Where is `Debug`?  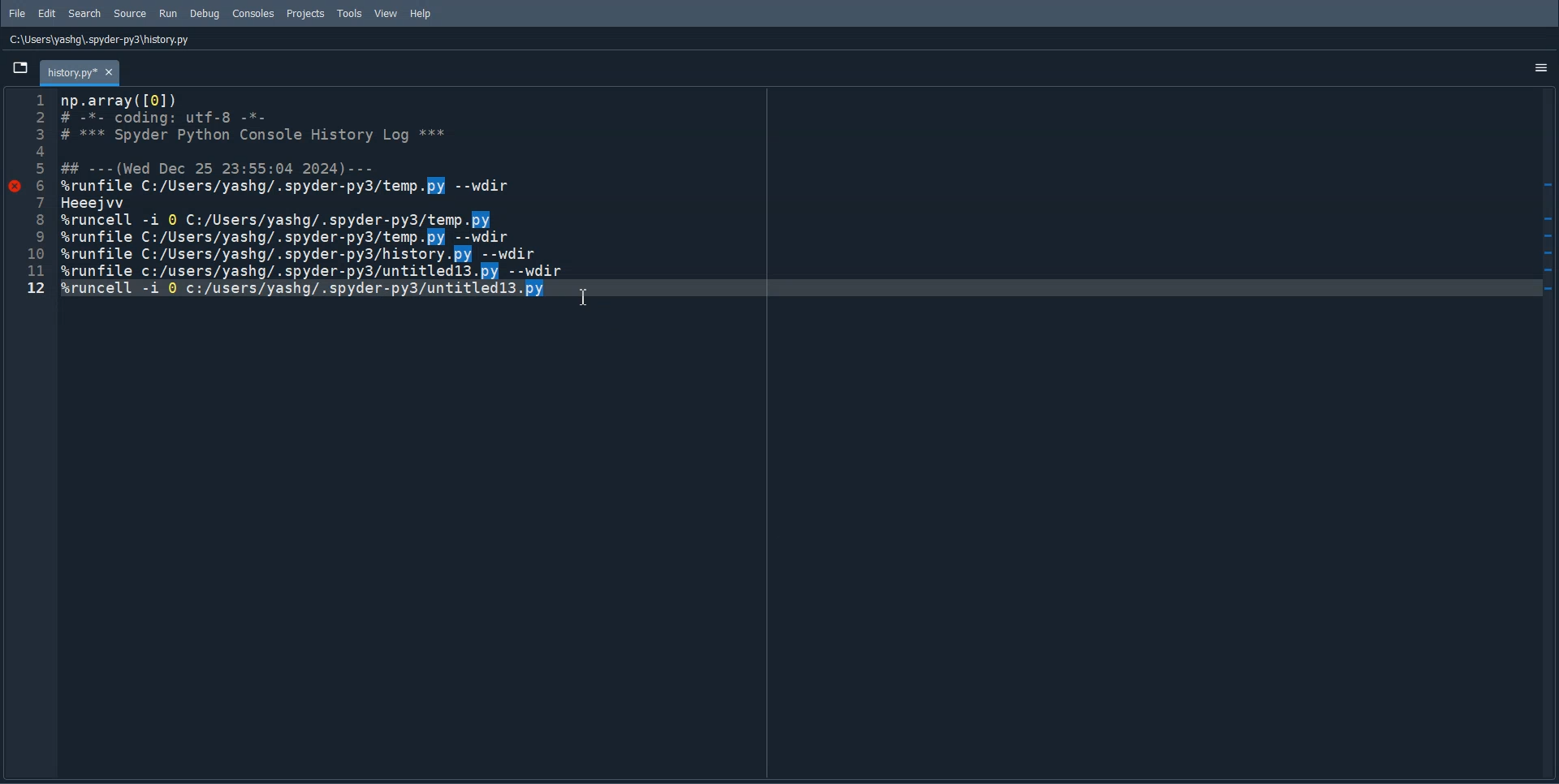 Debug is located at coordinates (205, 14).